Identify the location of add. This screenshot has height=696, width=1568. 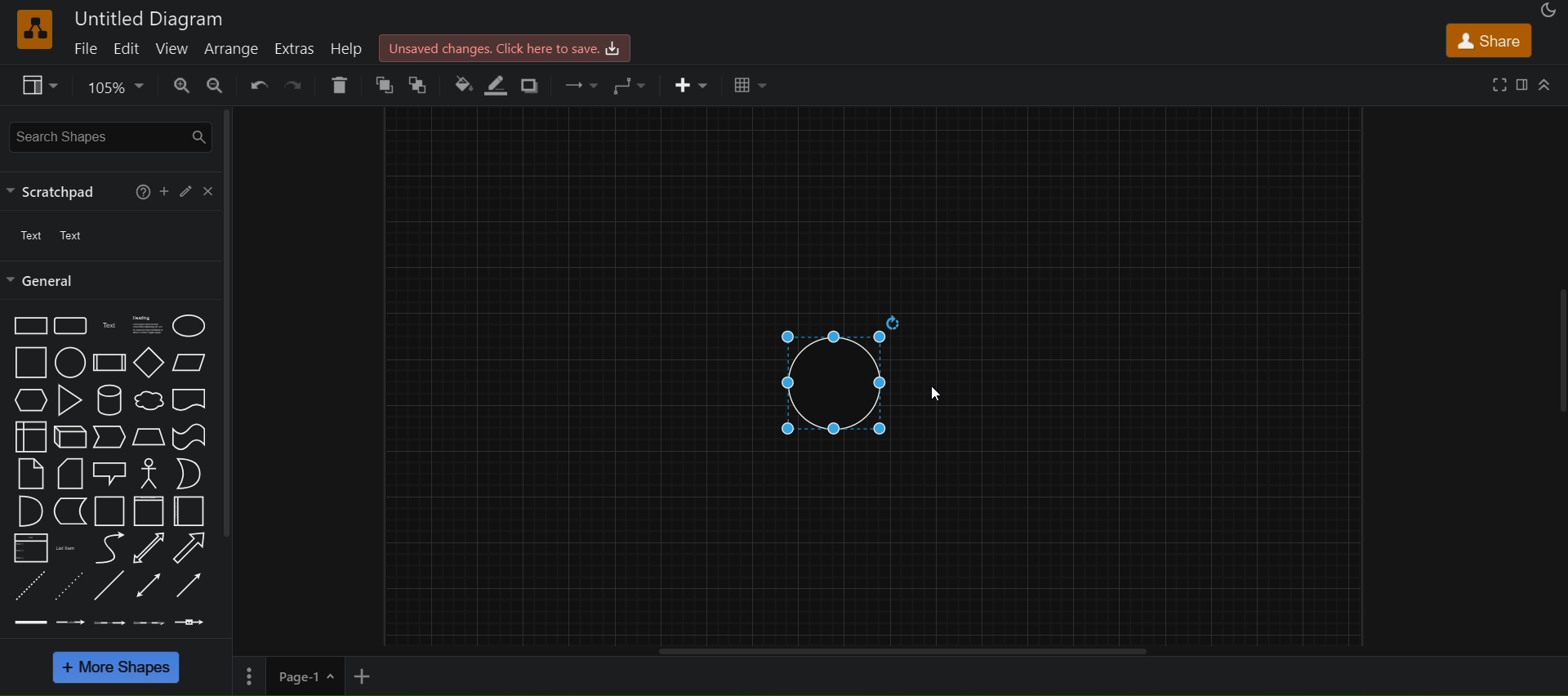
(164, 190).